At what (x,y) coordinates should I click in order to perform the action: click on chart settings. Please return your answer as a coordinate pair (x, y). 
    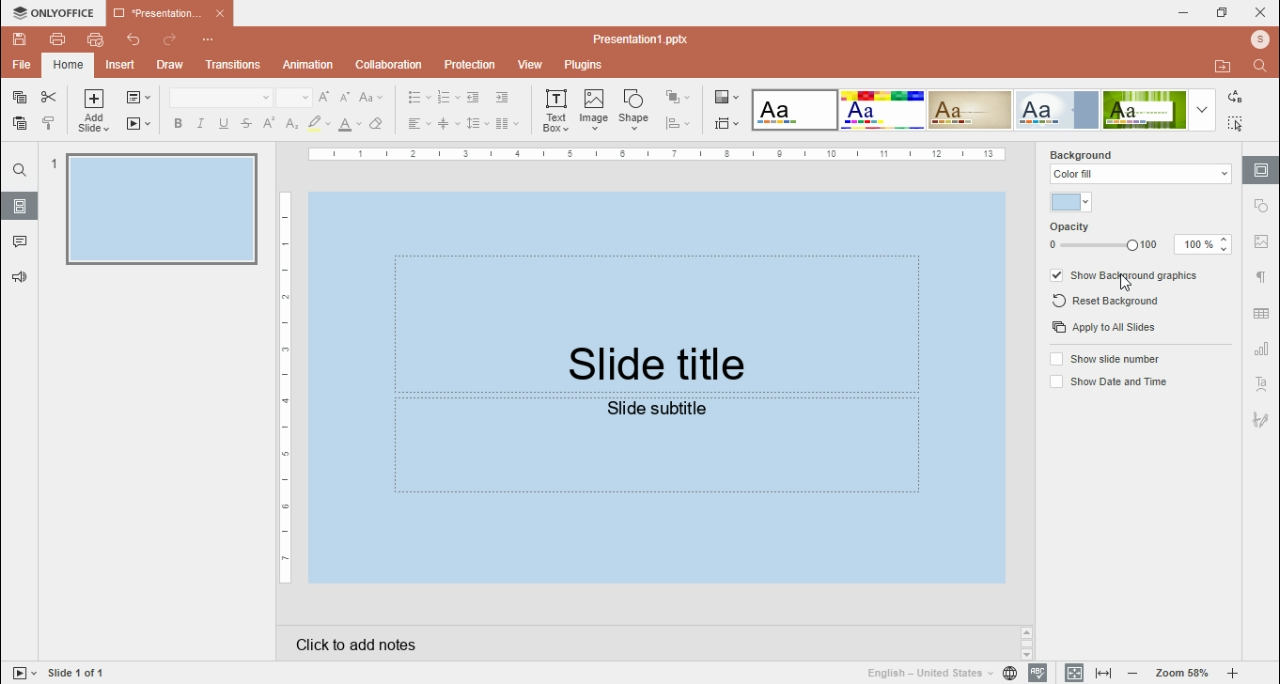
    Looking at the image, I should click on (1262, 350).